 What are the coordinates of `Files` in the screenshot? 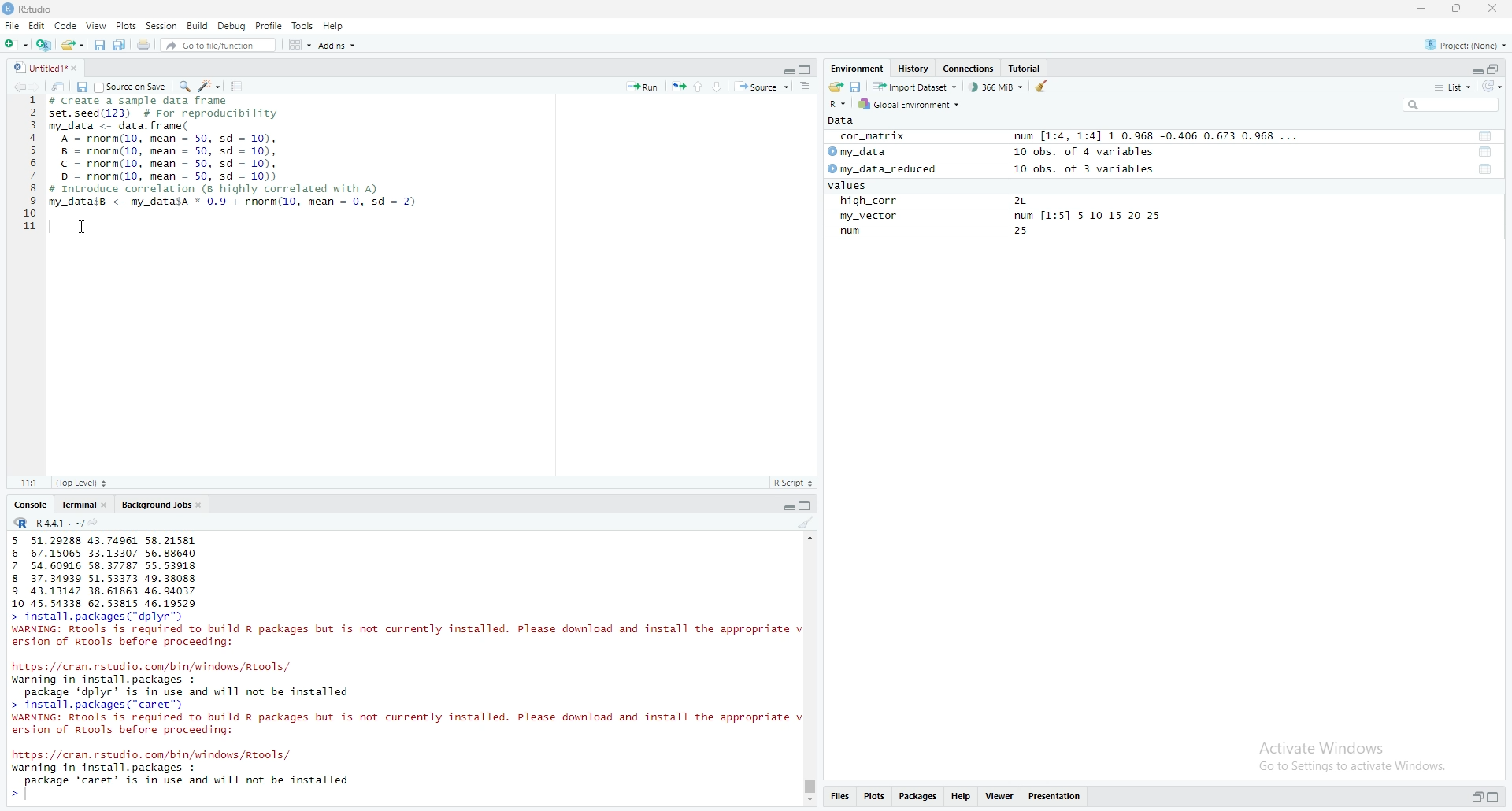 It's located at (839, 796).